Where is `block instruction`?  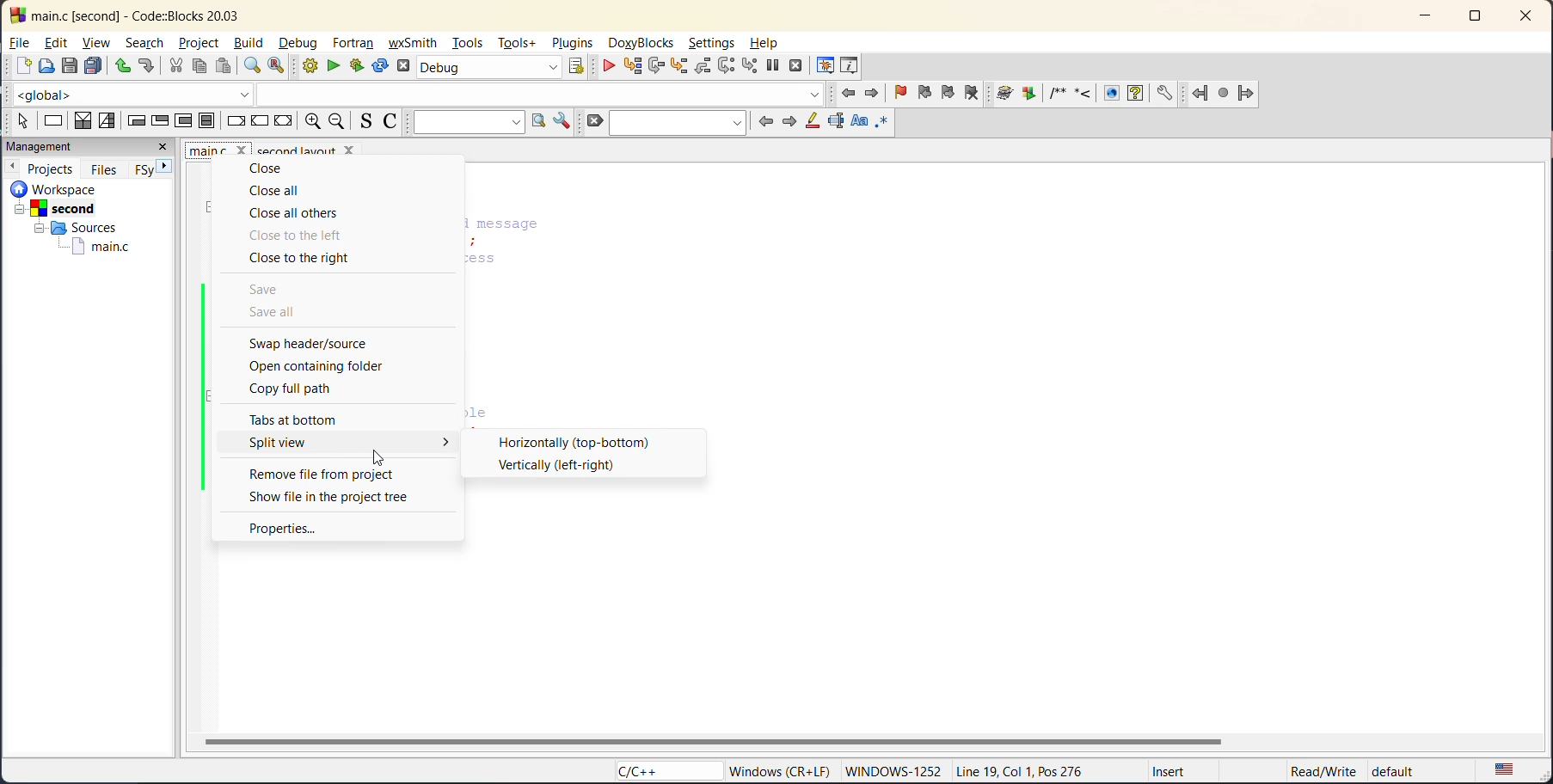
block instruction is located at coordinates (205, 121).